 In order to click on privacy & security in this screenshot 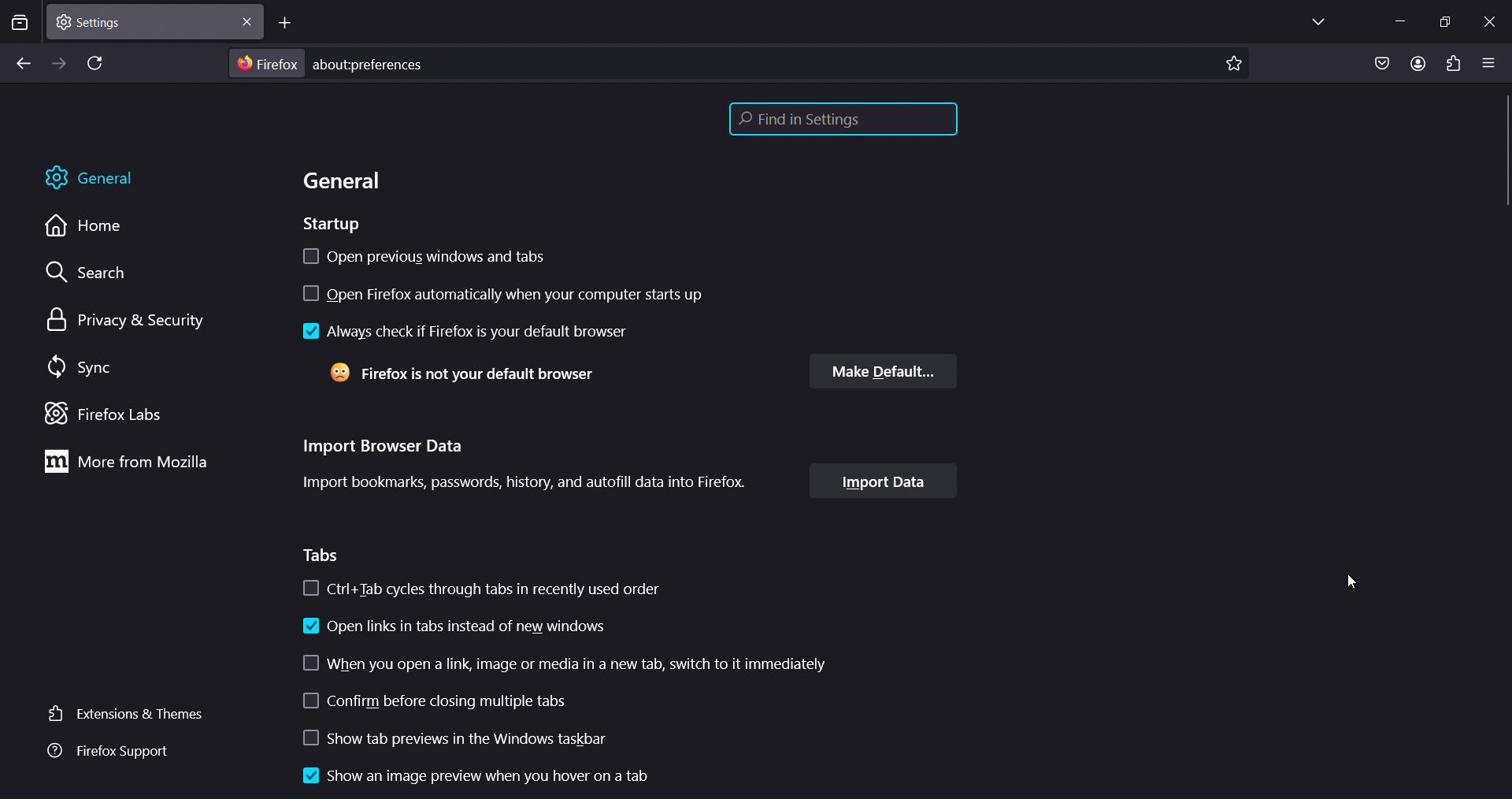, I will do `click(128, 319)`.